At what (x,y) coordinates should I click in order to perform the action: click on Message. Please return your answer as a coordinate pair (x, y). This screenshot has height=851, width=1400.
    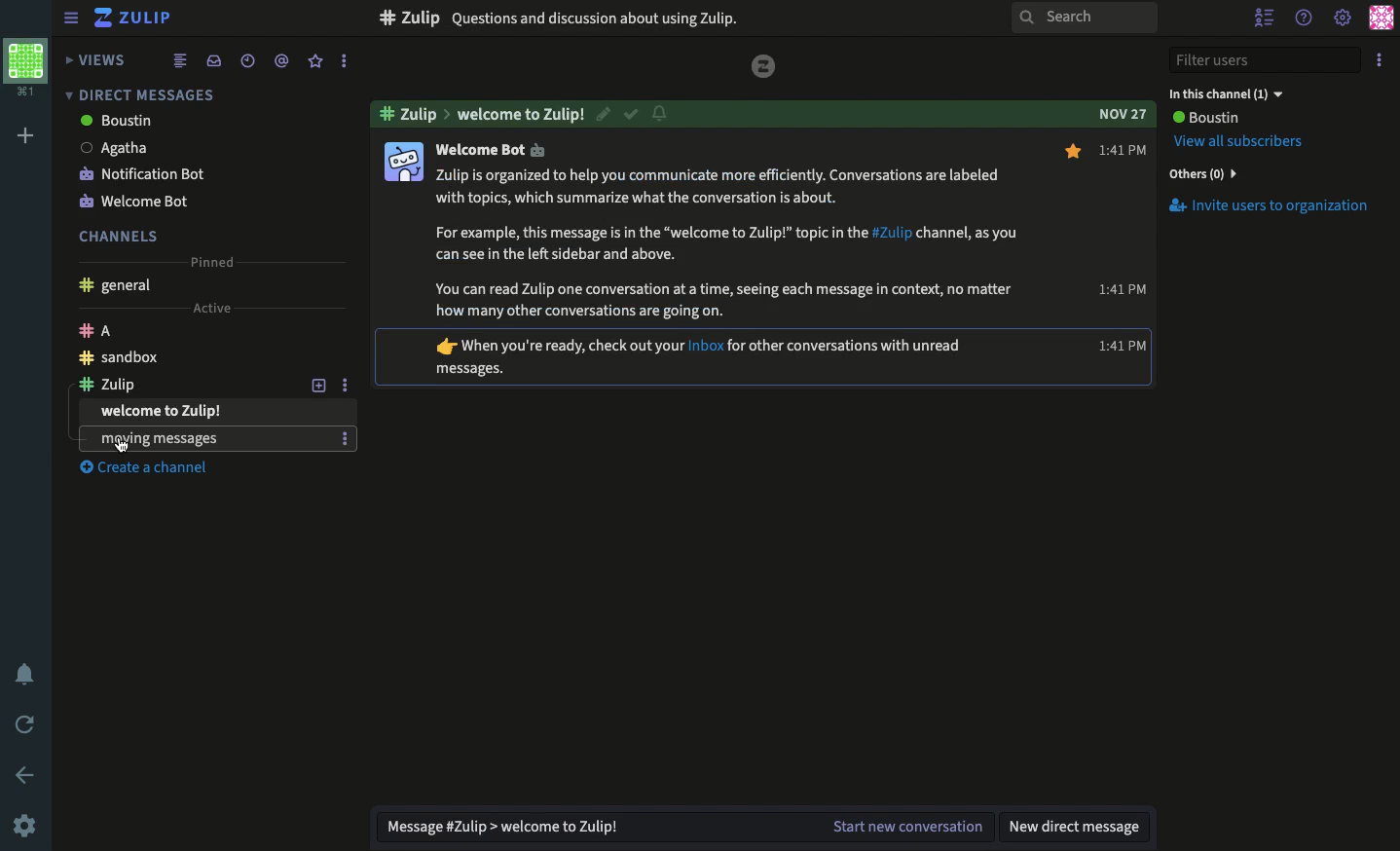
    Looking at the image, I should click on (588, 828).